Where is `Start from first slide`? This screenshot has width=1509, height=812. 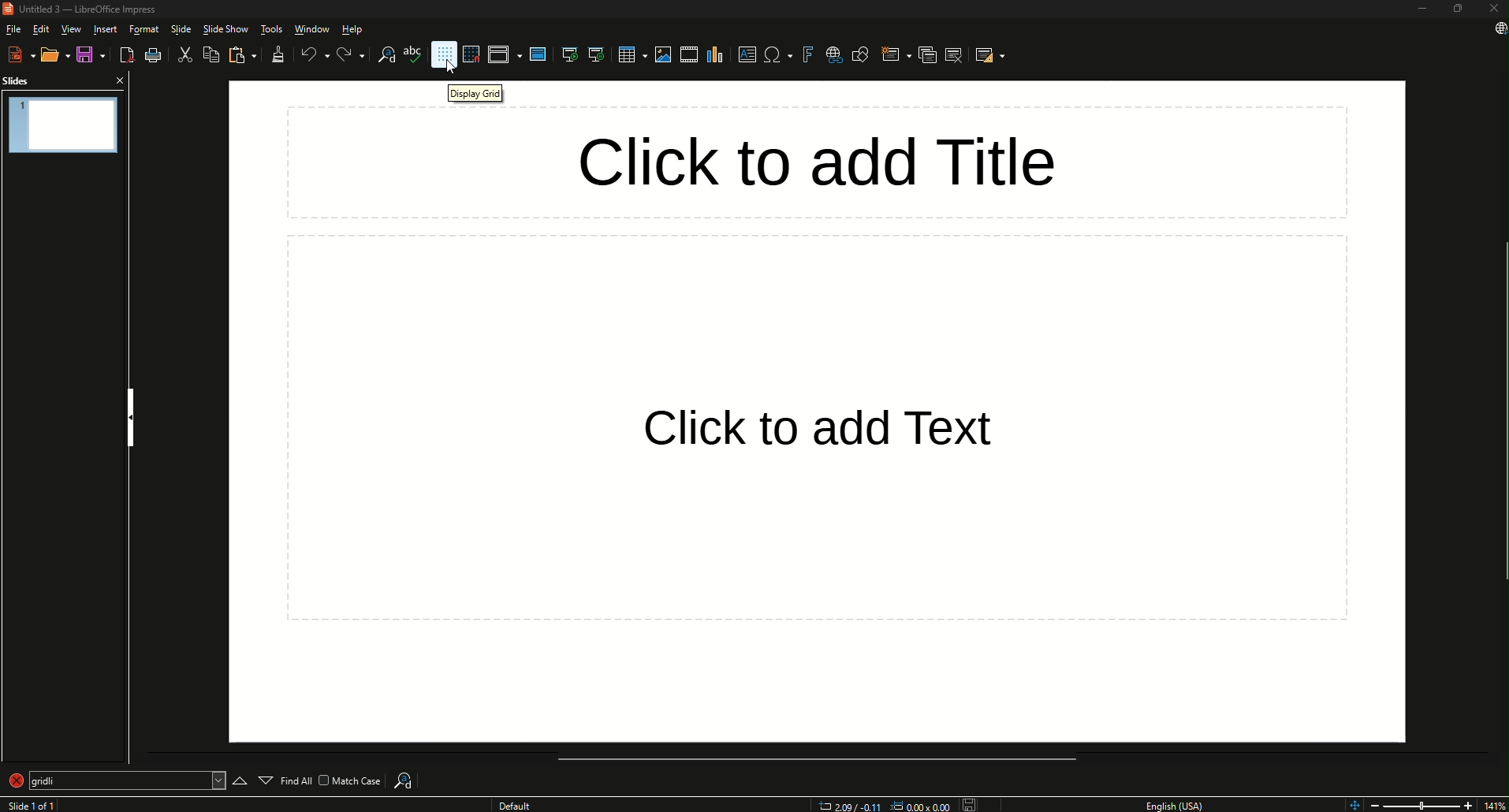
Start from first slide is located at coordinates (566, 54).